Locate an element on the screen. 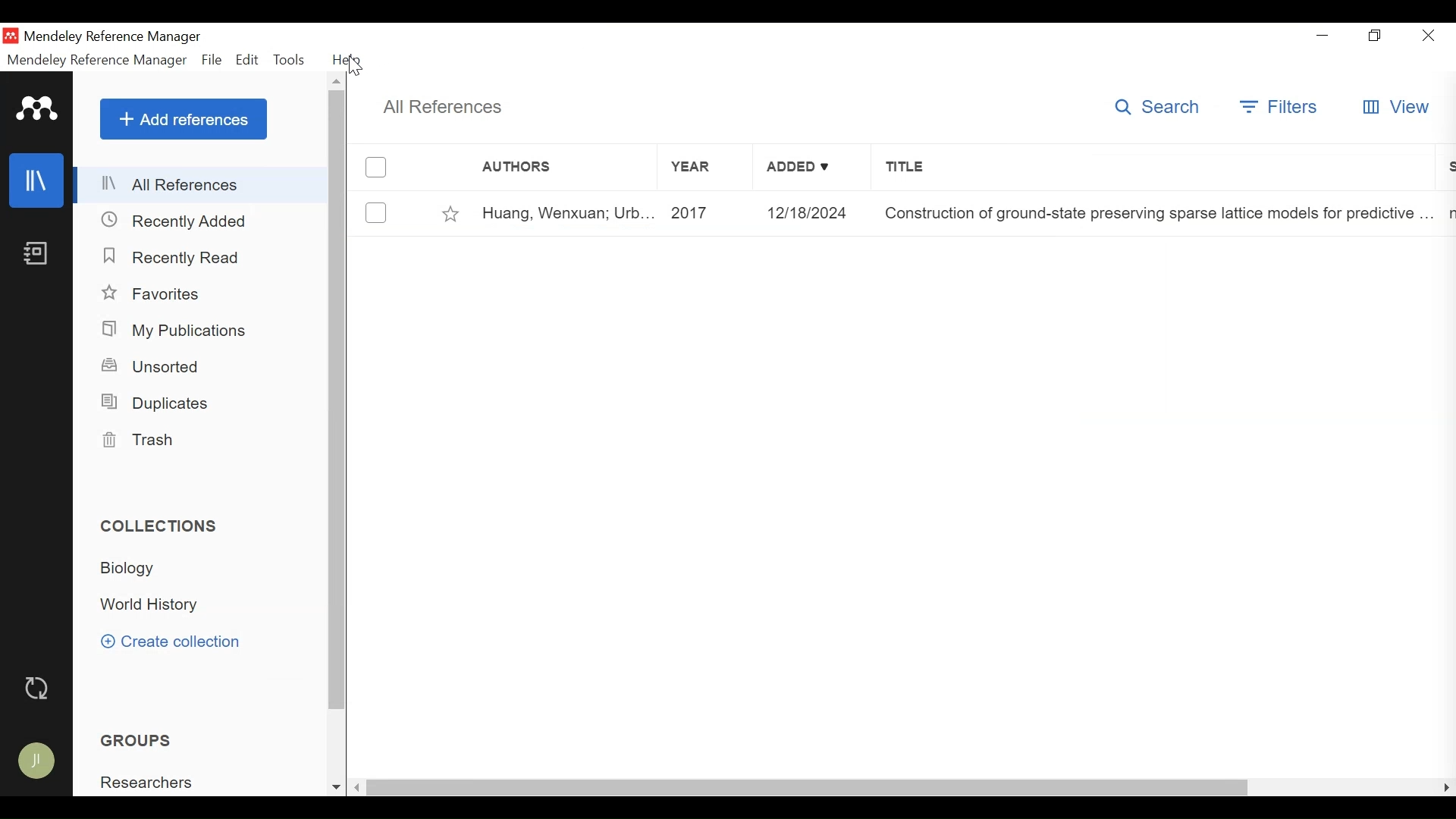 The image size is (1456, 819). Mendeley  is located at coordinates (35, 109).